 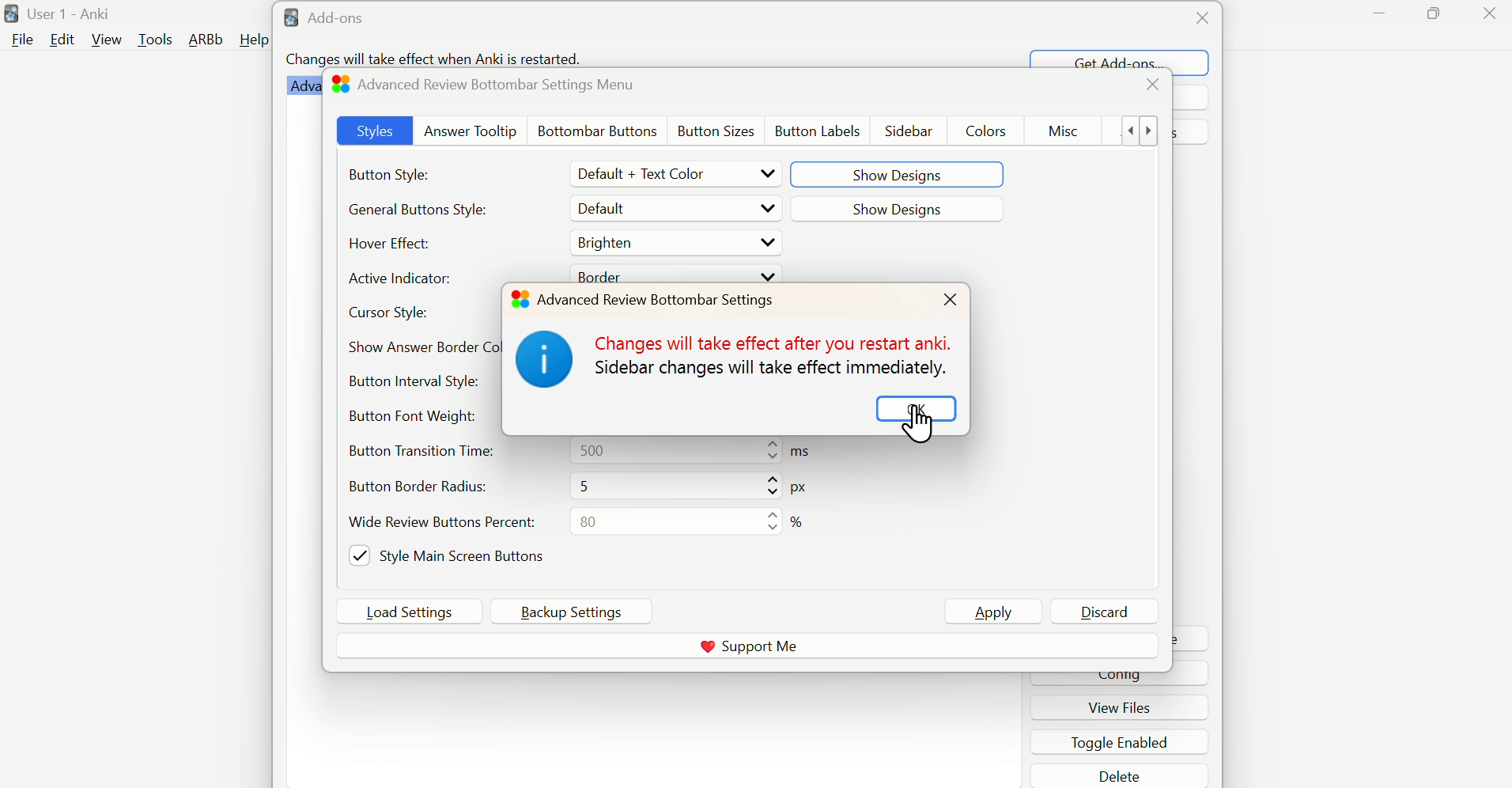 What do you see at coordinates (1127, 742) in the screenshot?
I see `toggle enabled` at bounding box center [1127, 742].